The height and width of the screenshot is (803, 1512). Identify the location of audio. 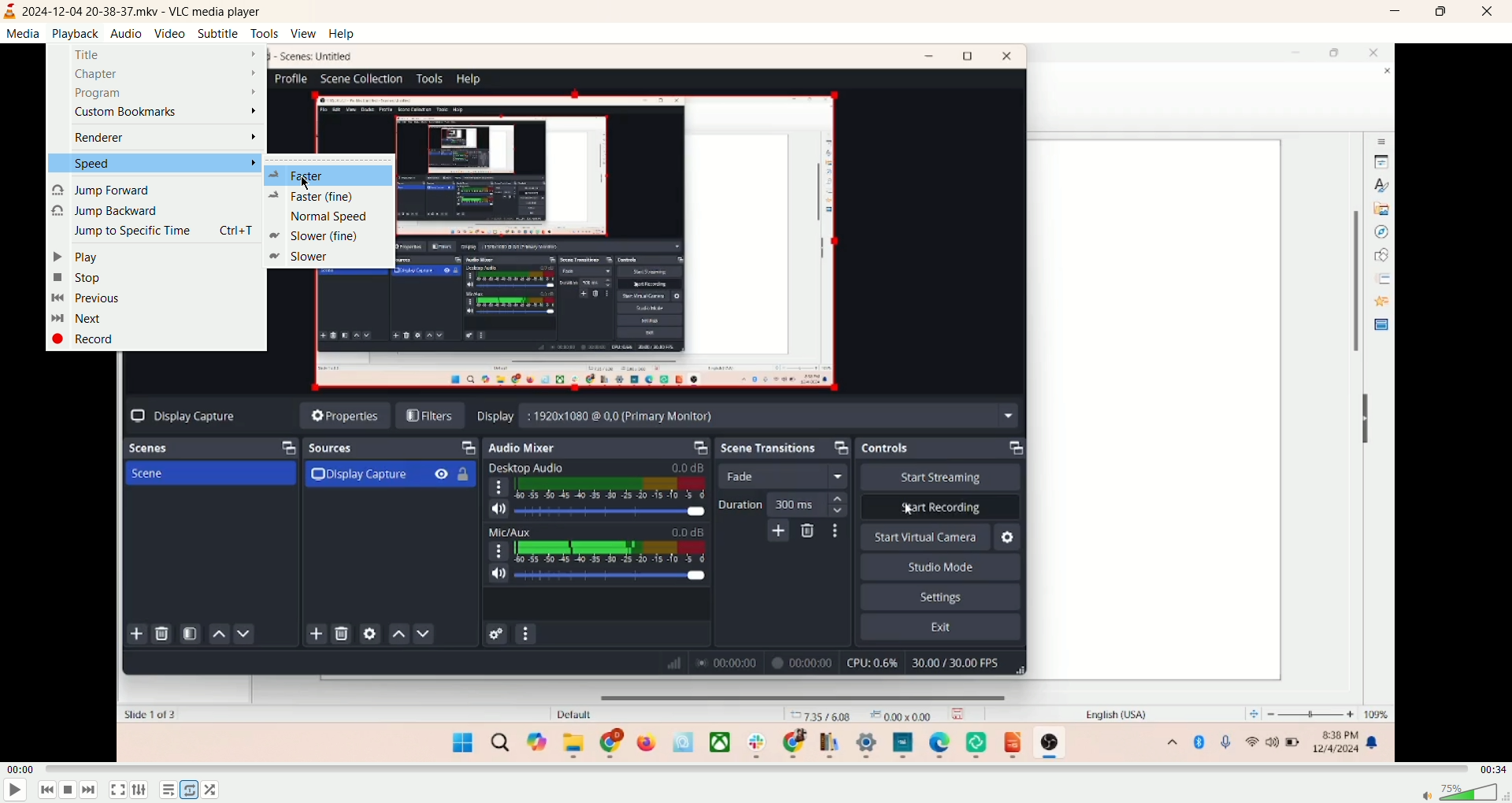
(126, 32).